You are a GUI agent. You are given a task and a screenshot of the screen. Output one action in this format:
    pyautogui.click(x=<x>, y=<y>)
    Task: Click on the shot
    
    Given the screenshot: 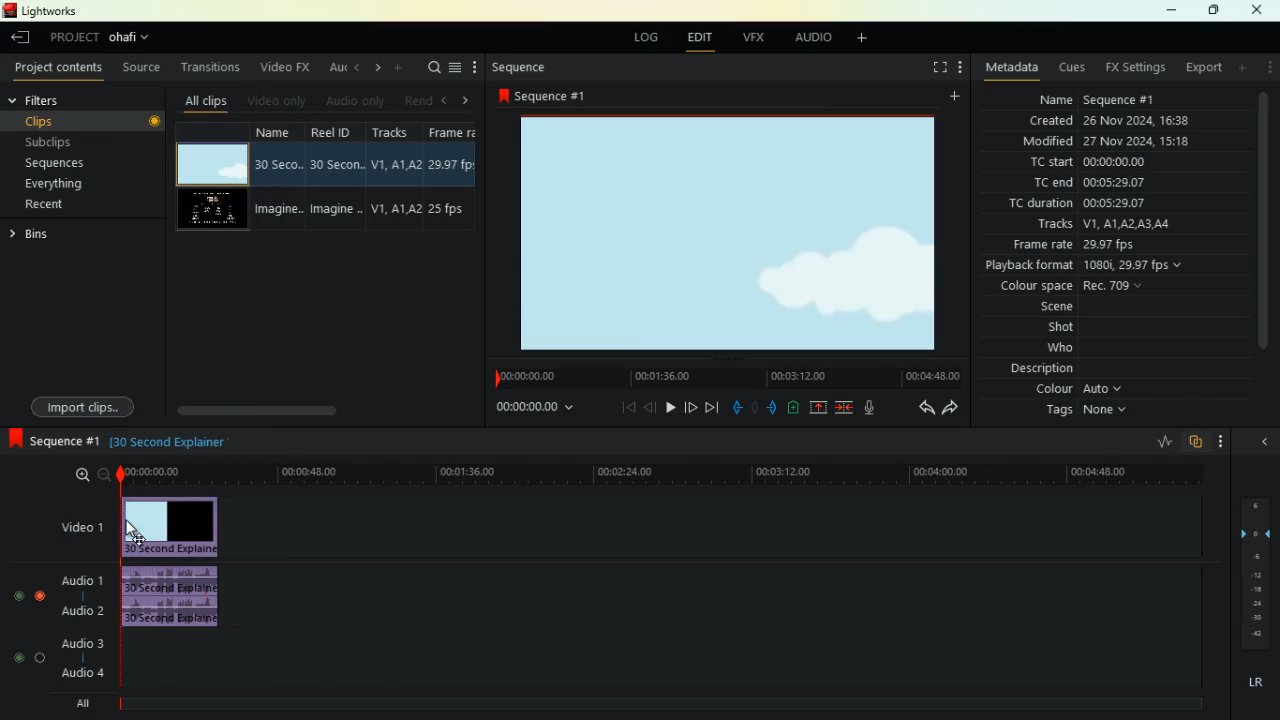 What is the action you would take?
    pyautogui.click(x=1062, y=329)
    